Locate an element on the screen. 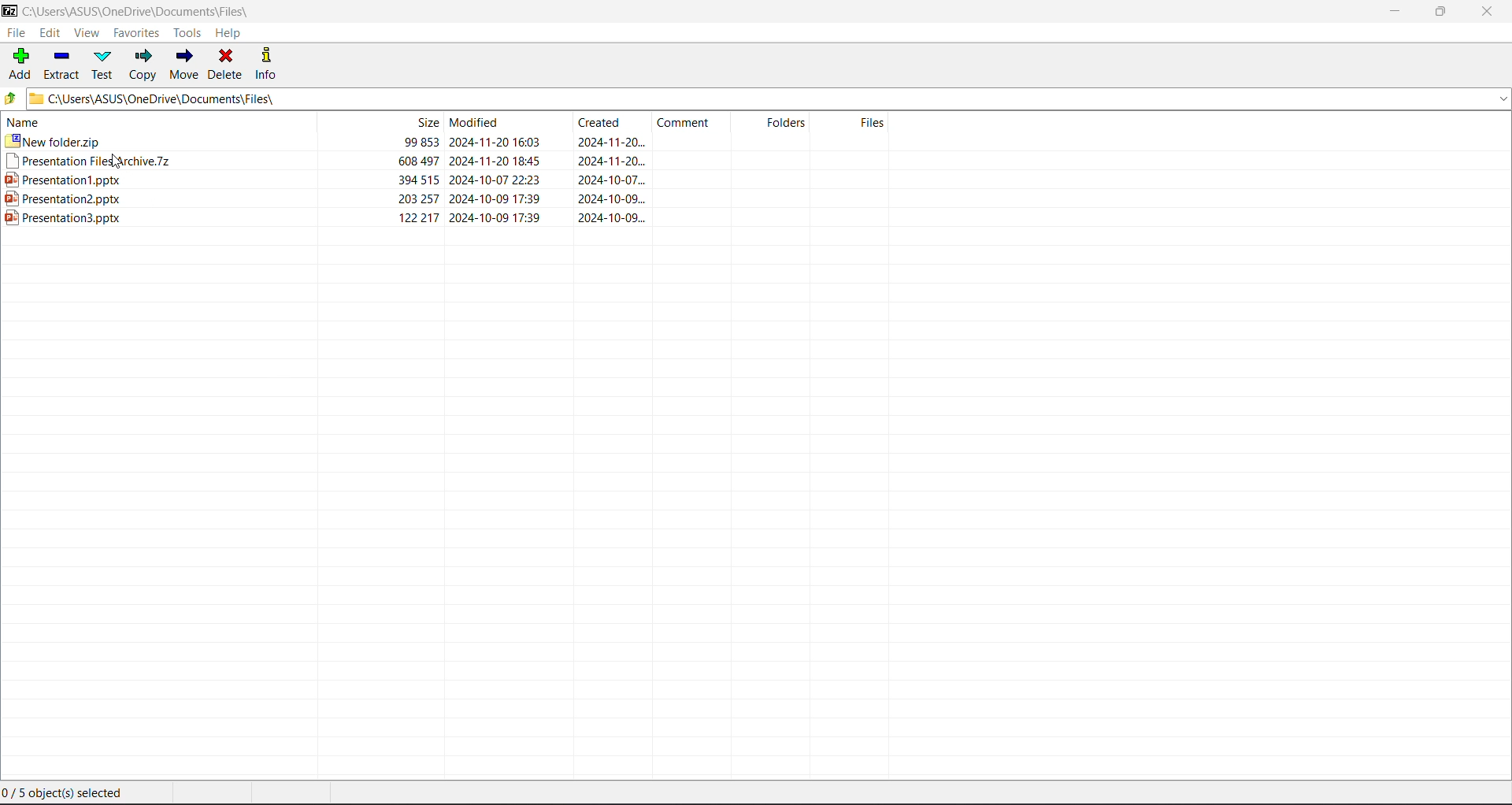 The height and width of the screenshot is (805, 1512). File is located at coordinates (15, 32).